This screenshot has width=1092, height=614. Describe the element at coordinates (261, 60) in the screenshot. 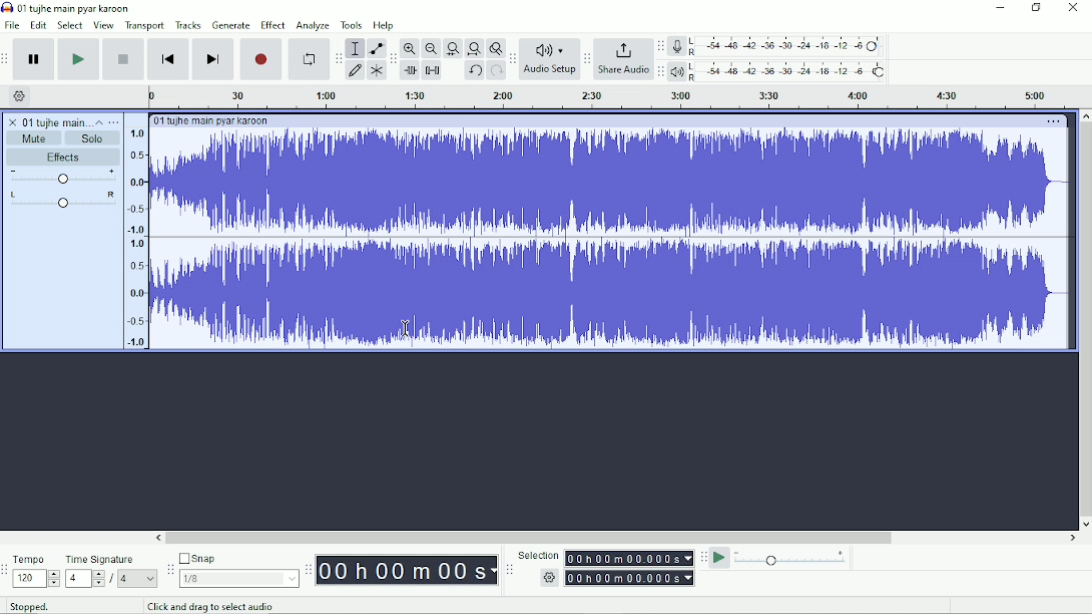

I see `Record` at that location.